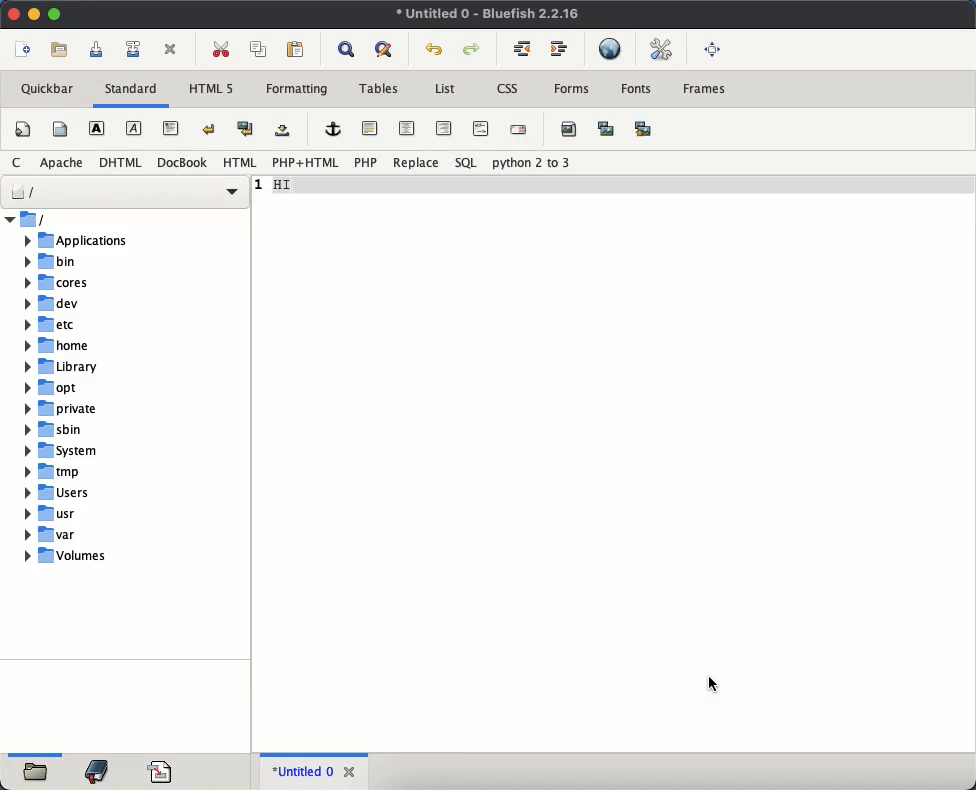  I want to click on sbin, so click(101, 431).